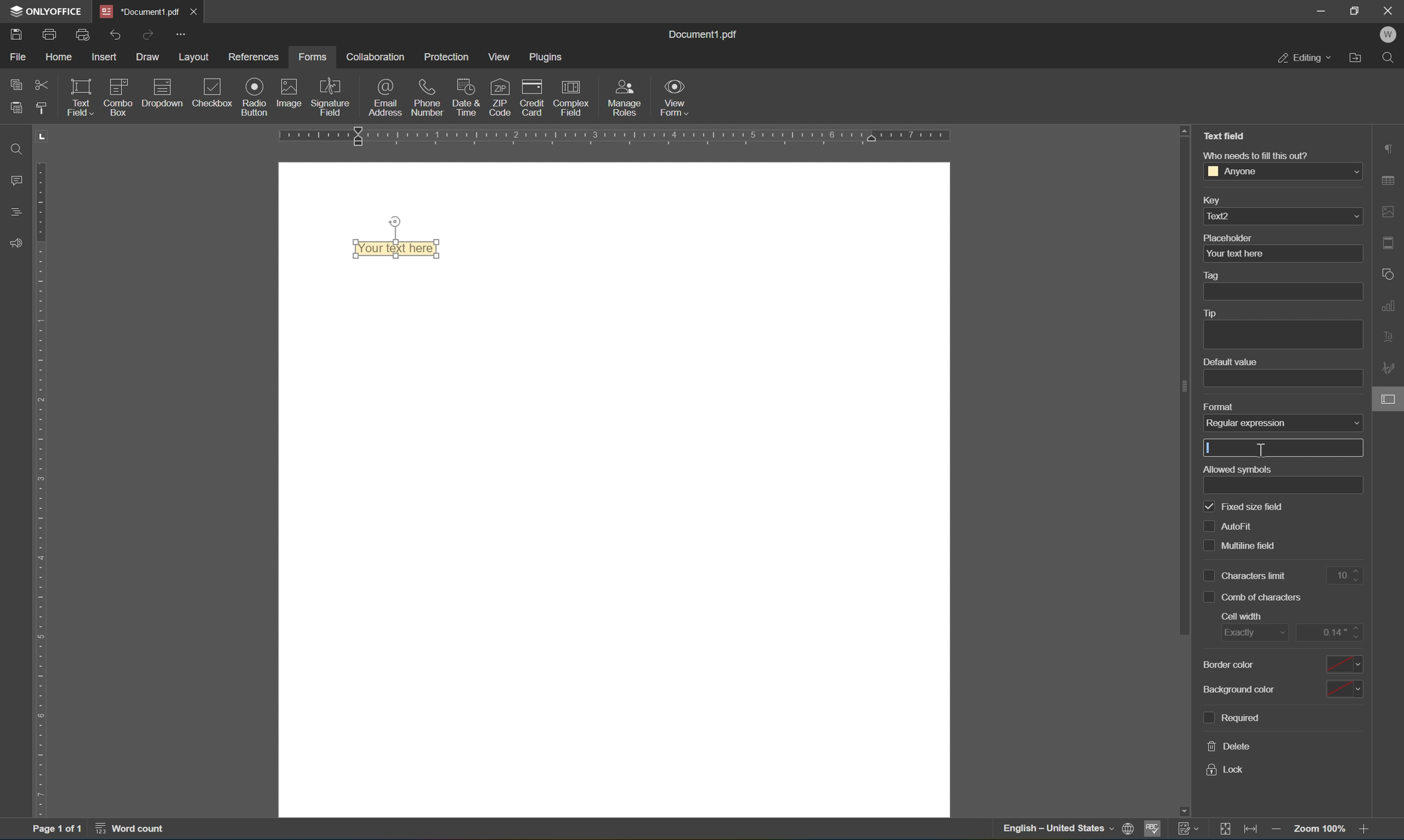 Image resolution: width=1404 pixels, height=840 pixels. I want to click on auto fill, so click(1227, 526).